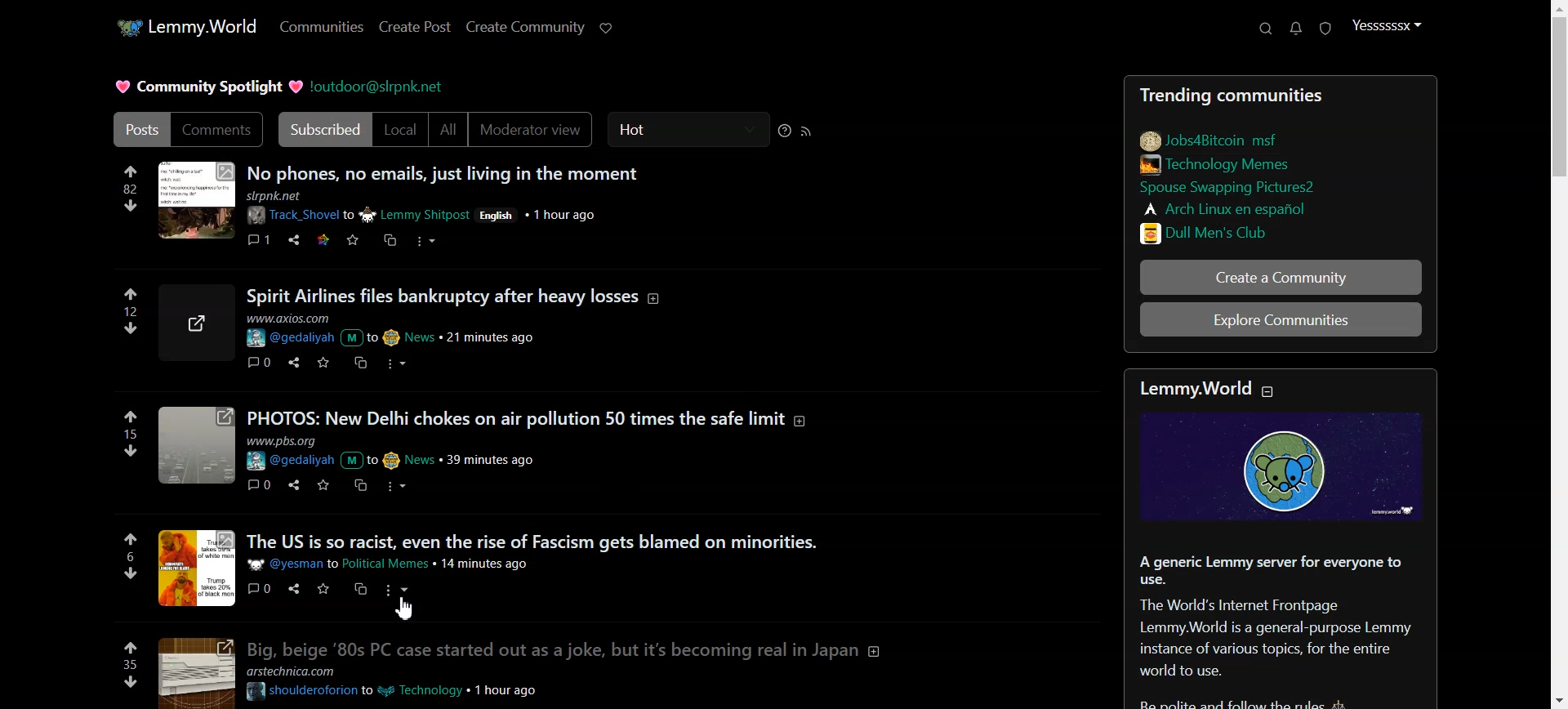 The width and height of the screenshot is (1568, 709). I want to click on upvote, so click(131, 539).